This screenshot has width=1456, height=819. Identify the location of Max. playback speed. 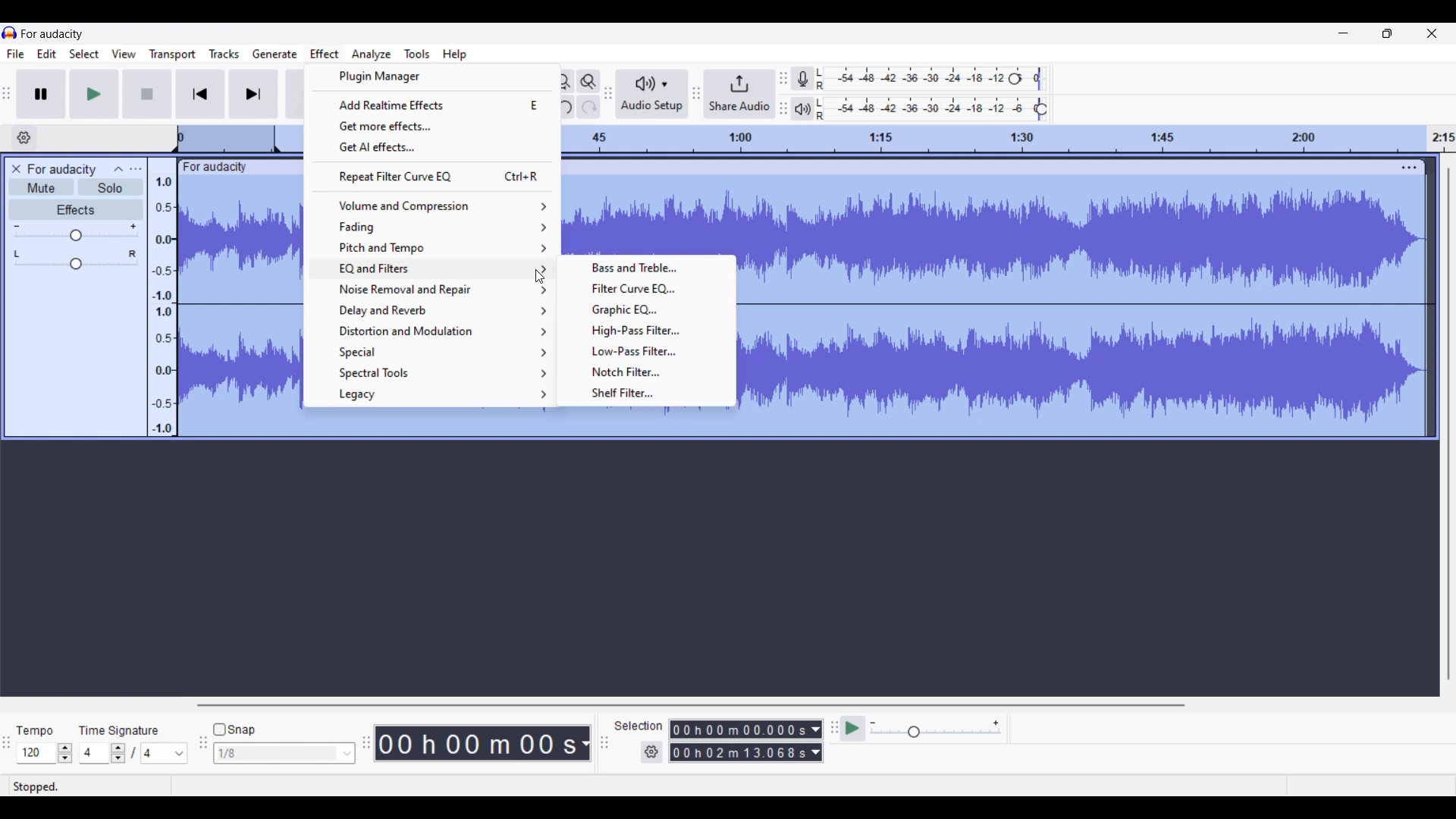
(996, 723).